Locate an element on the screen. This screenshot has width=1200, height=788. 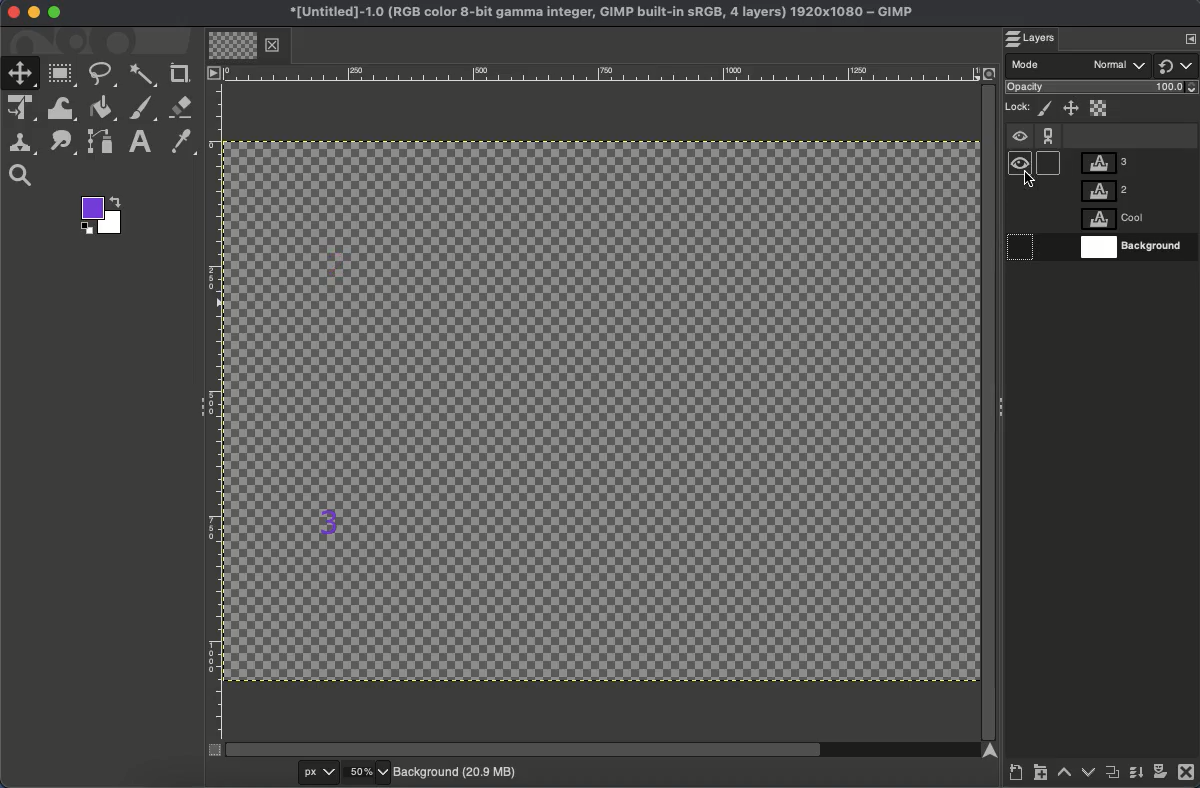
Background is located at coordinates (457, 770).